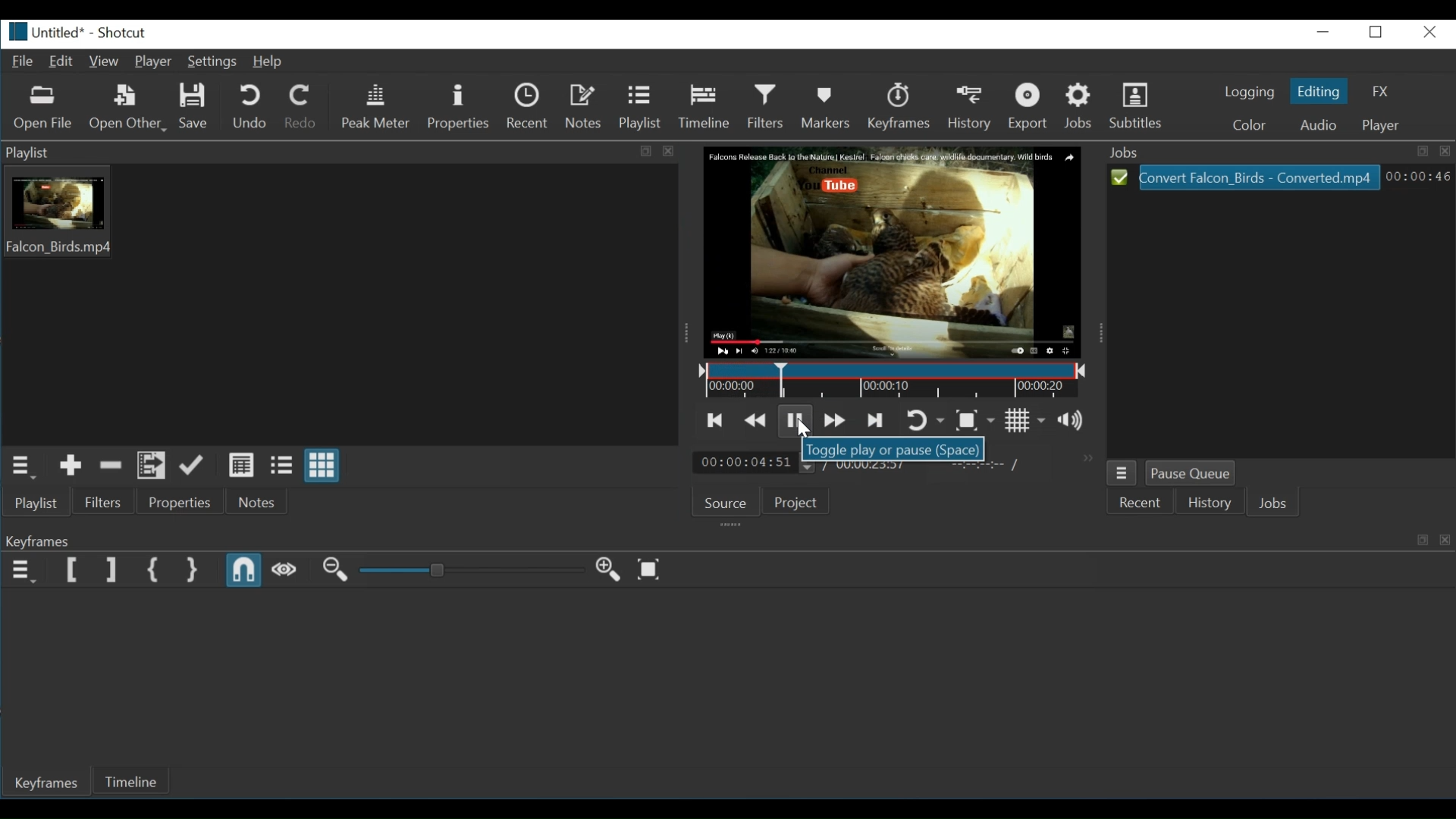 The width and height of the screenshot is (1456, 819). Describe the element at coordinates (970, 106) in the screenshot. I see `History` at that location.